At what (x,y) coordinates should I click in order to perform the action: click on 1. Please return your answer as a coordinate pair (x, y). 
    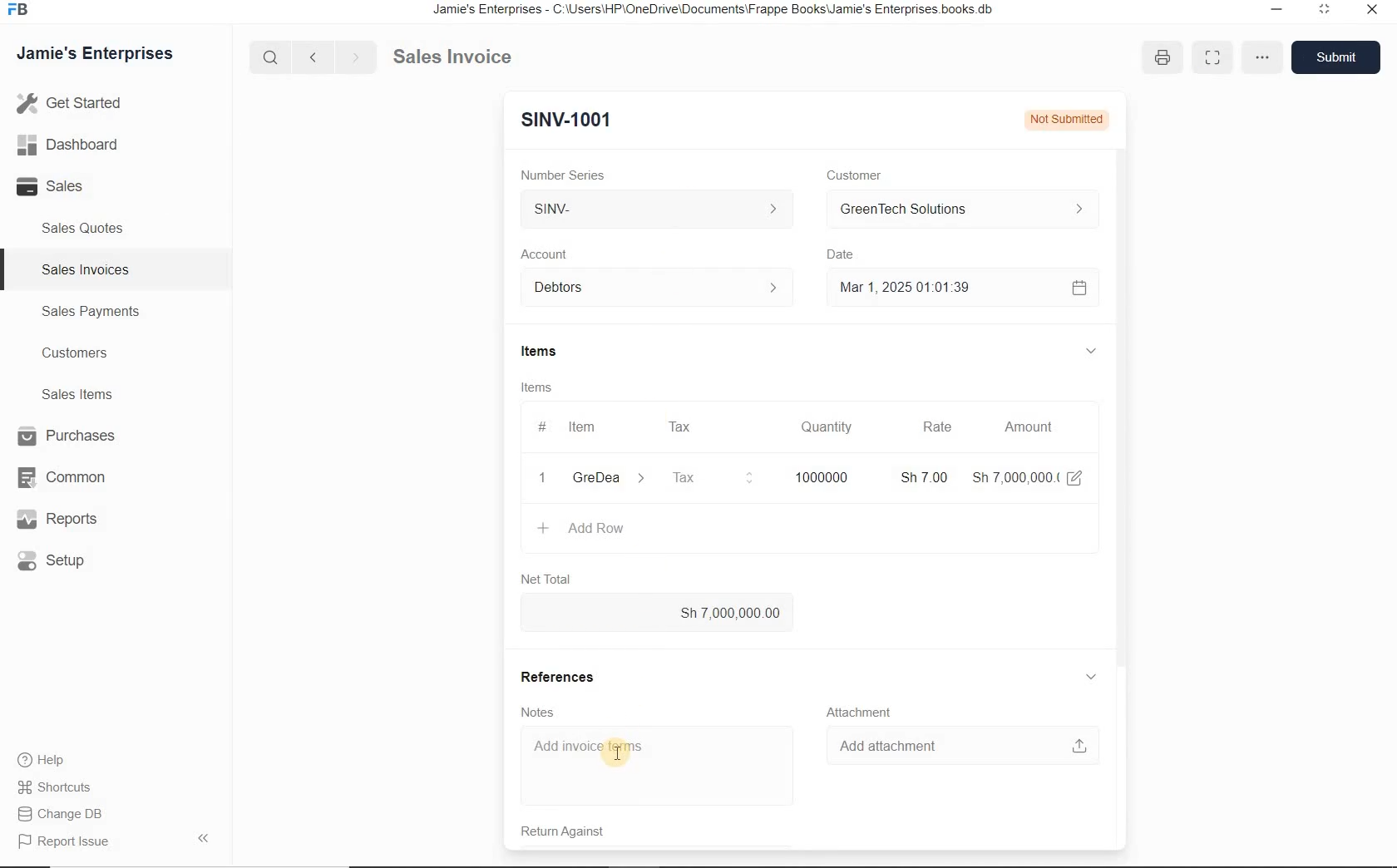
    Looking at the image, I should click on (543, 478).